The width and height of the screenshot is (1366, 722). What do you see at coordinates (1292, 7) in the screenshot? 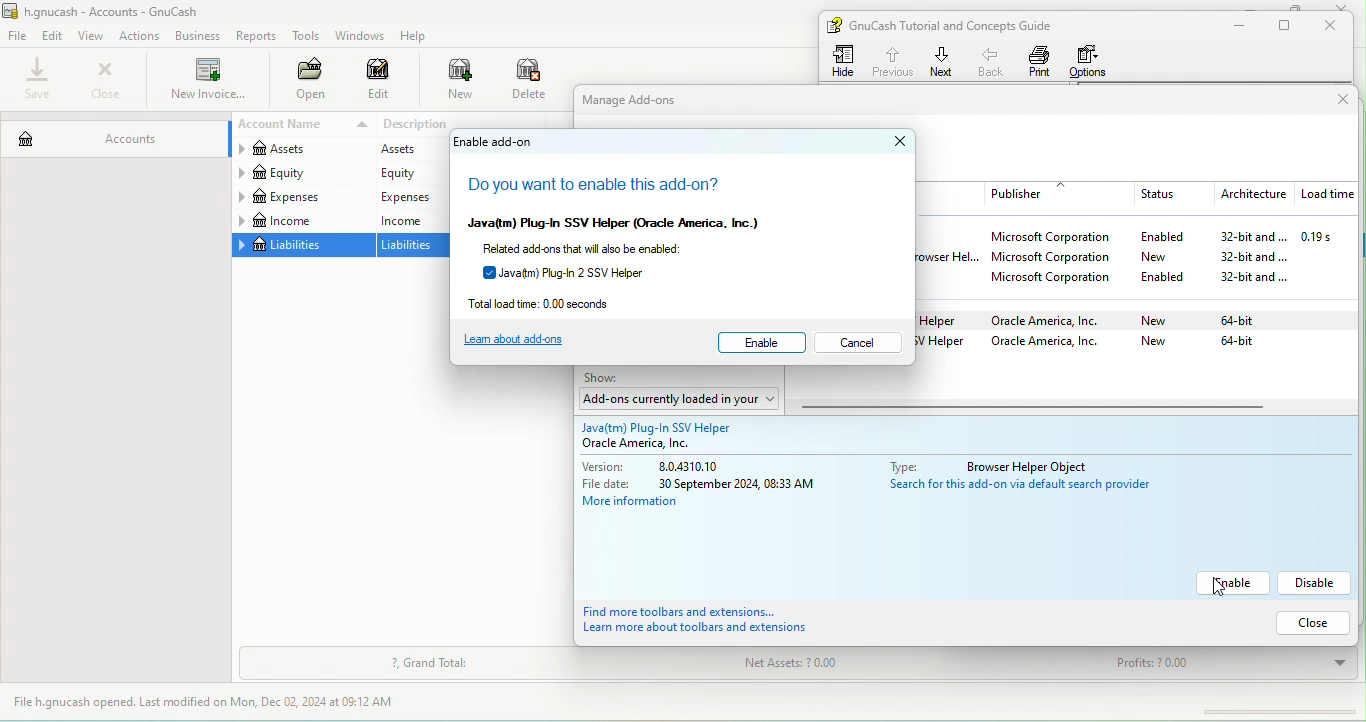
I see `maximize` at bounding box center [1292, 7].